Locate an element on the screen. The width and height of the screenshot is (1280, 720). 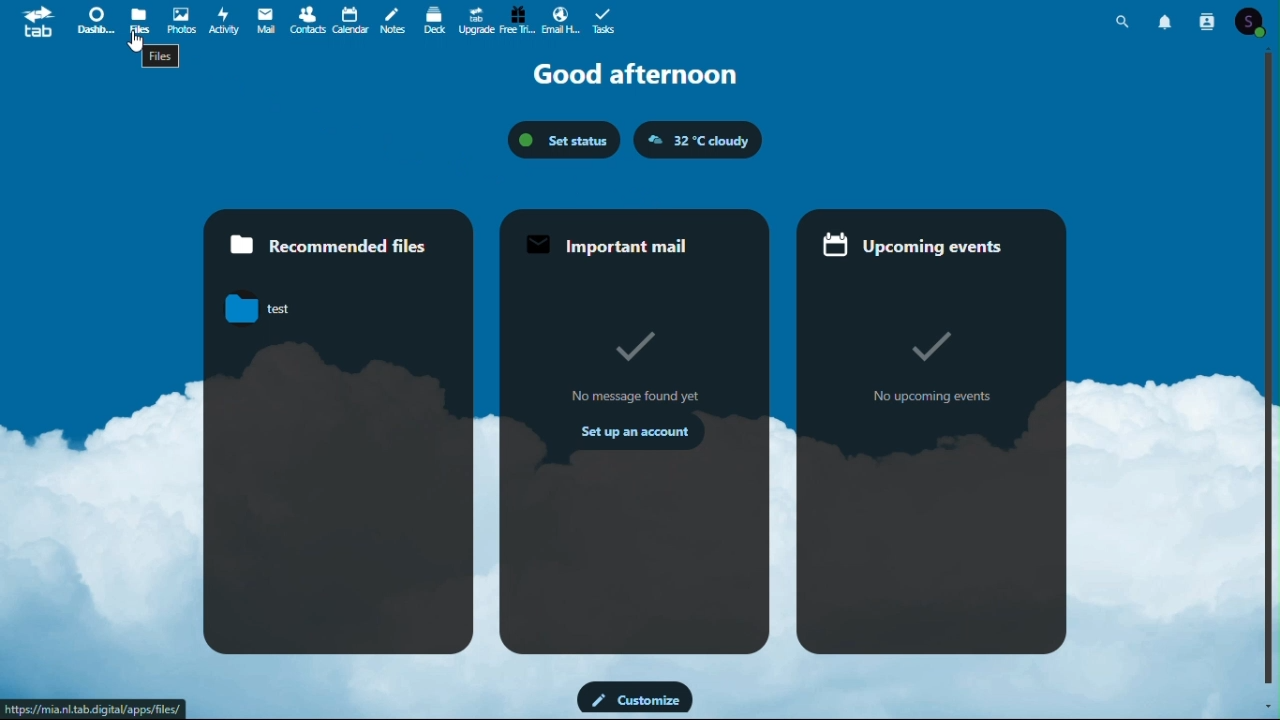
deck is located at coordinates (433, 19).